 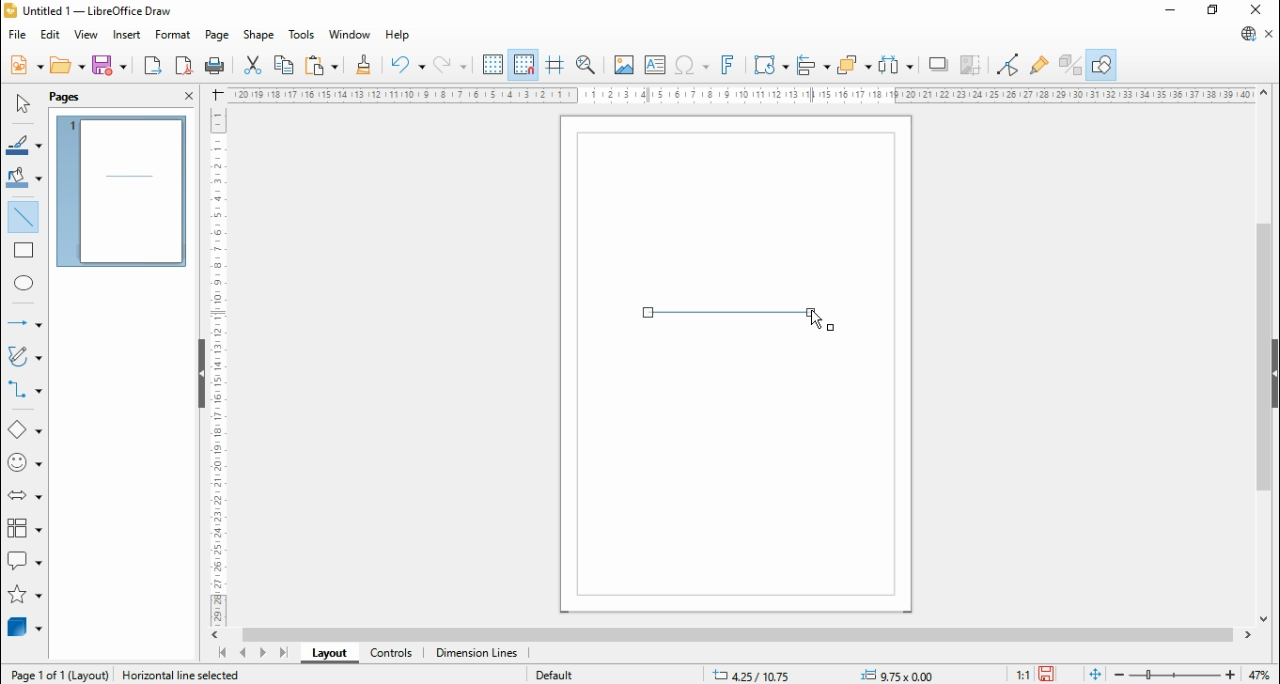 I want to click on undo, so click(x=406, y=64).